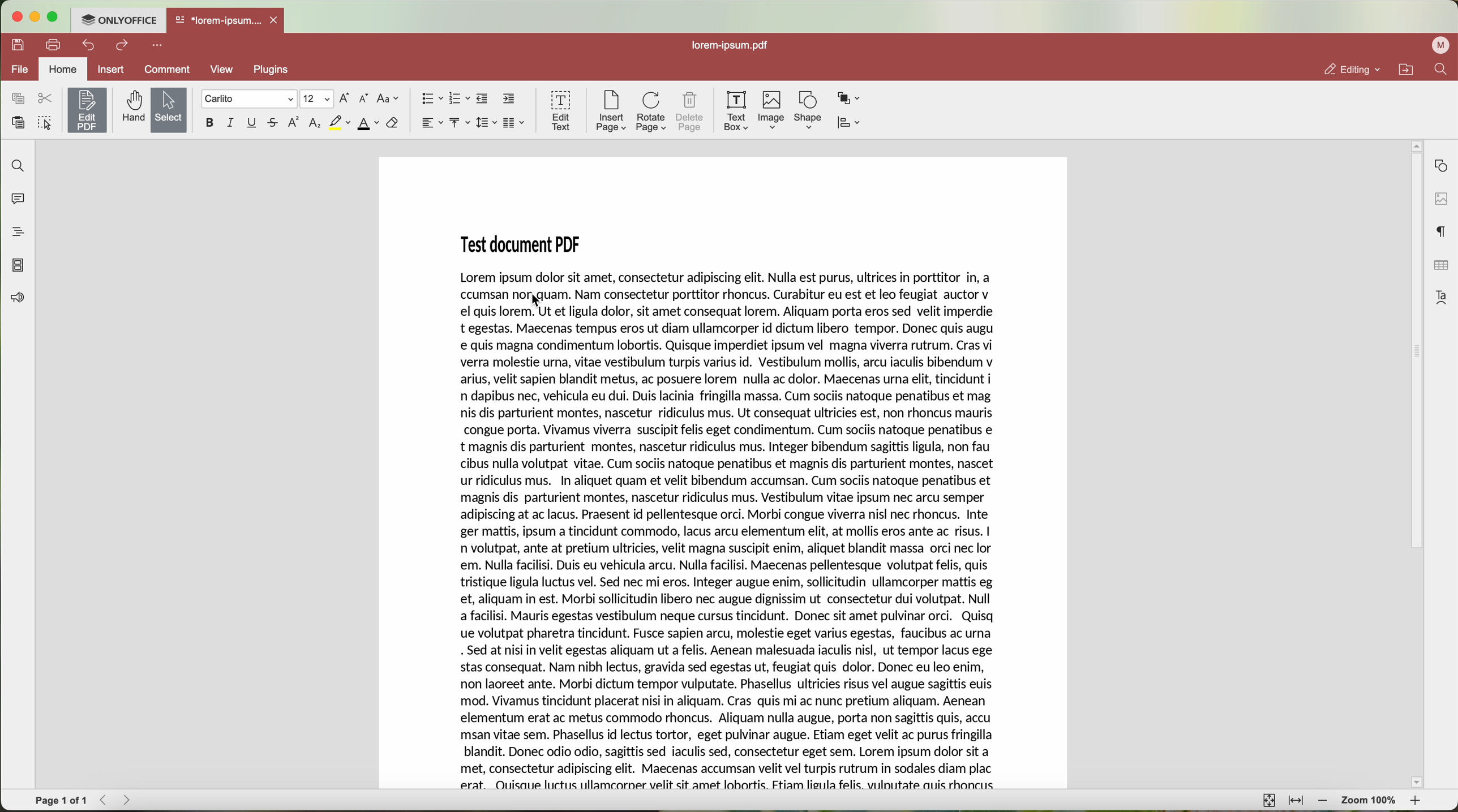  I want to click on align shape, so click(851, 122).